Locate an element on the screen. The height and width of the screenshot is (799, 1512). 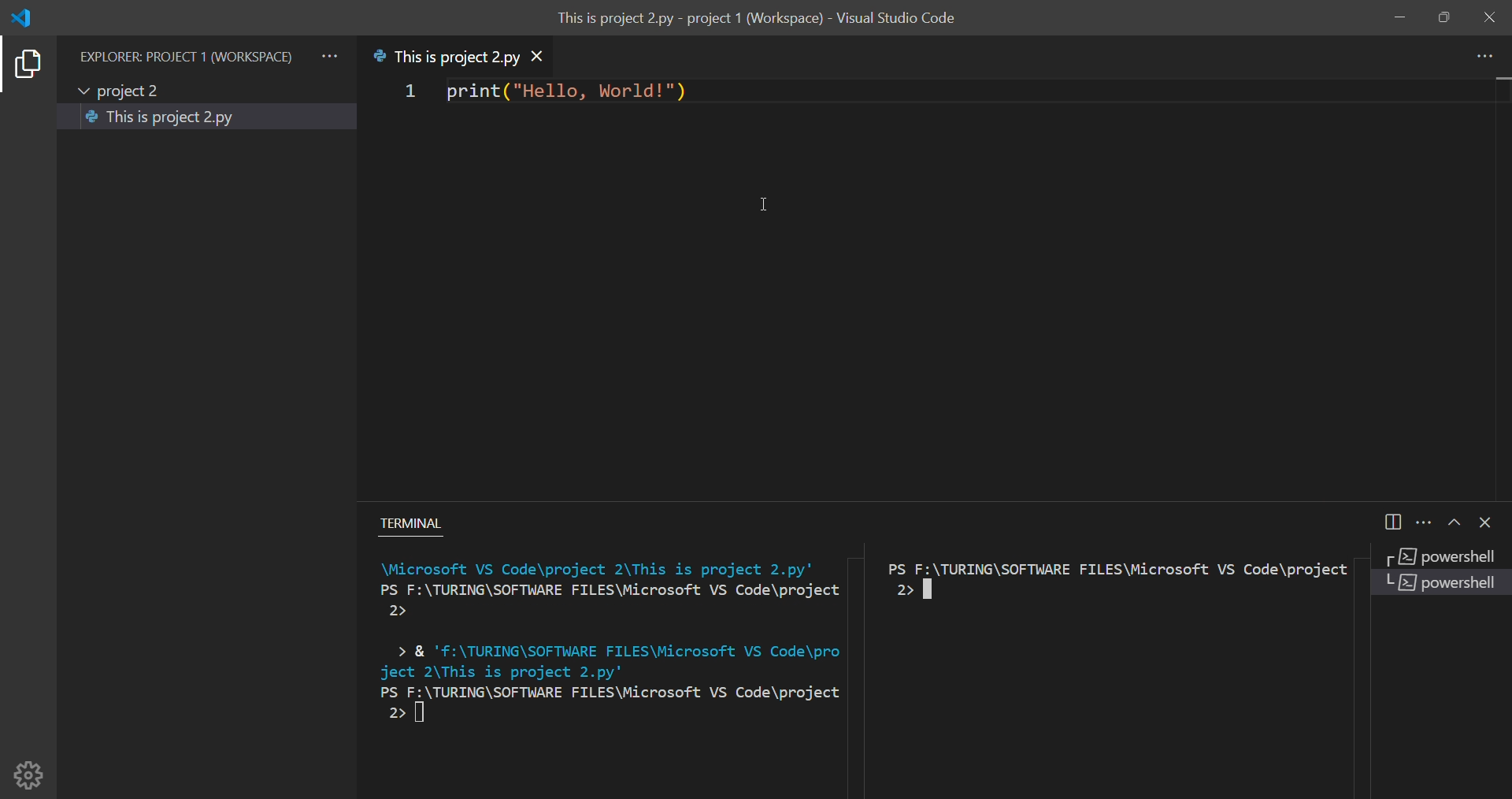
logo is located at coordinates (28, 17).